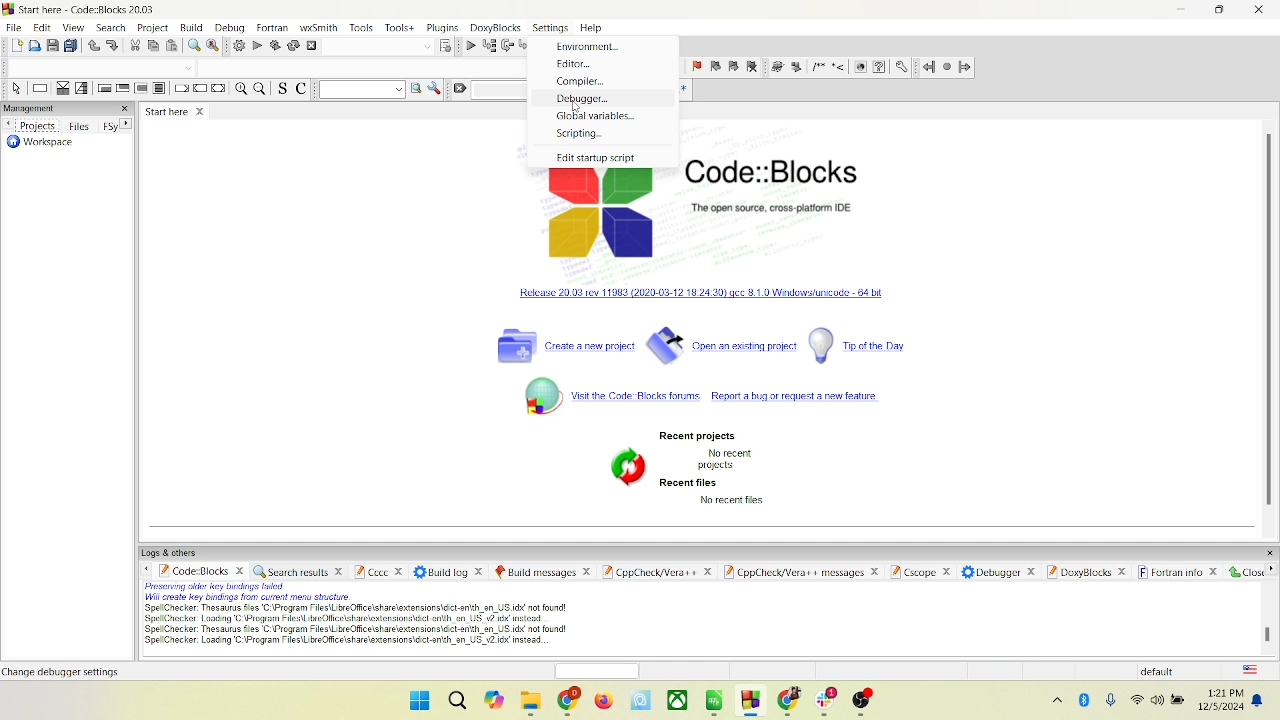  Describe the element at coordinates (1223, 12) in the screenshot. I see `maximize` at that location.